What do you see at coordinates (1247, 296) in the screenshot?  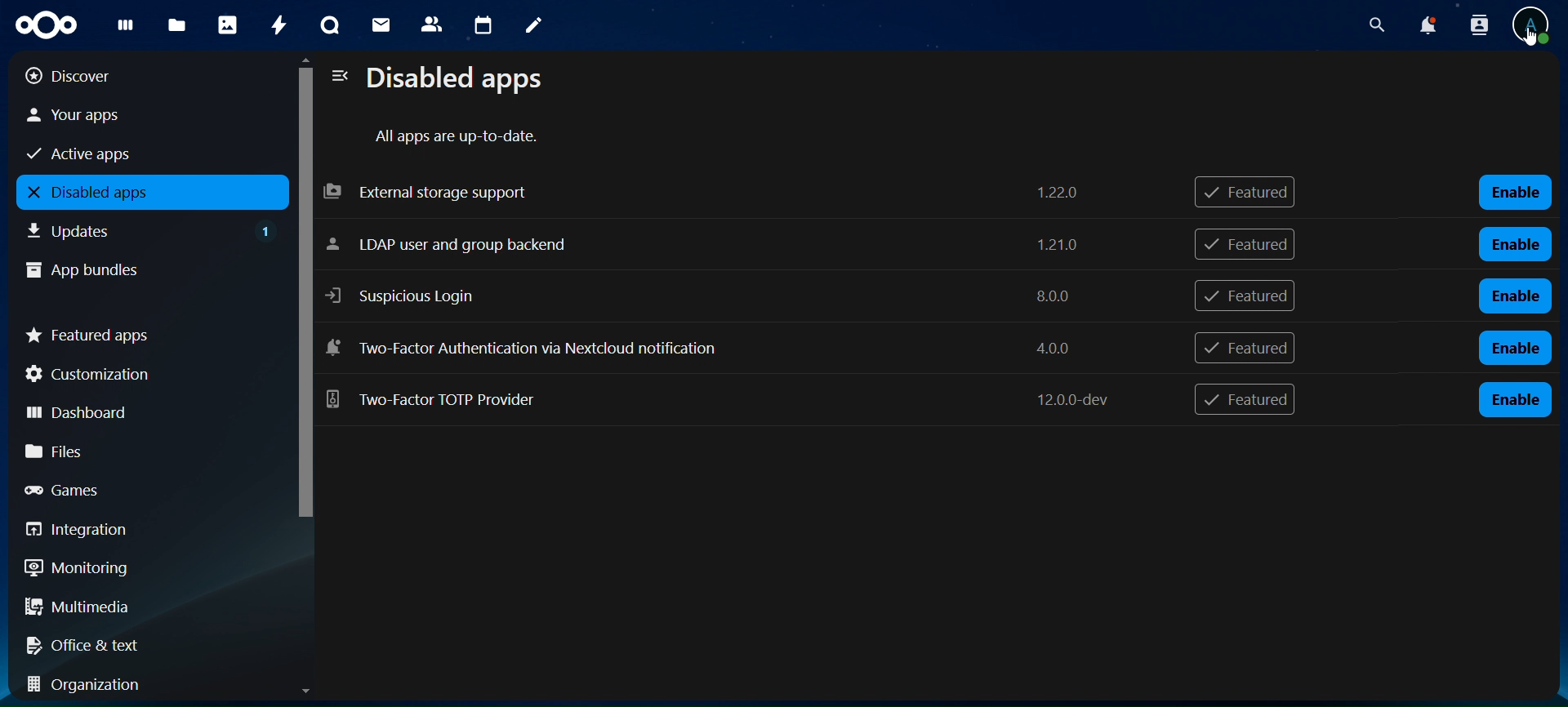 I see `featured` at bounding box center [1247, 296].